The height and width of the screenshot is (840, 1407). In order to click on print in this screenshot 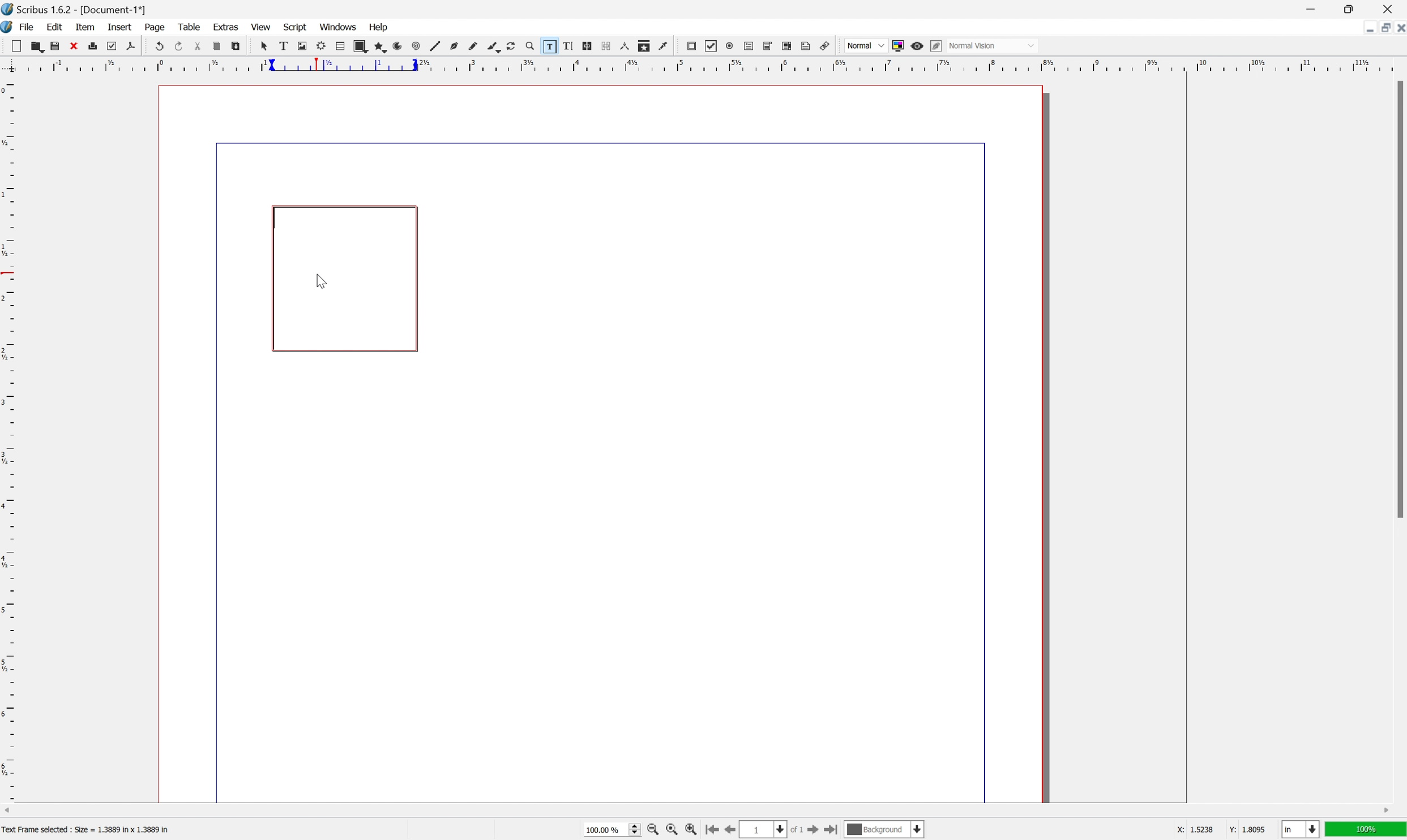, I will do `click(93, 45)`.